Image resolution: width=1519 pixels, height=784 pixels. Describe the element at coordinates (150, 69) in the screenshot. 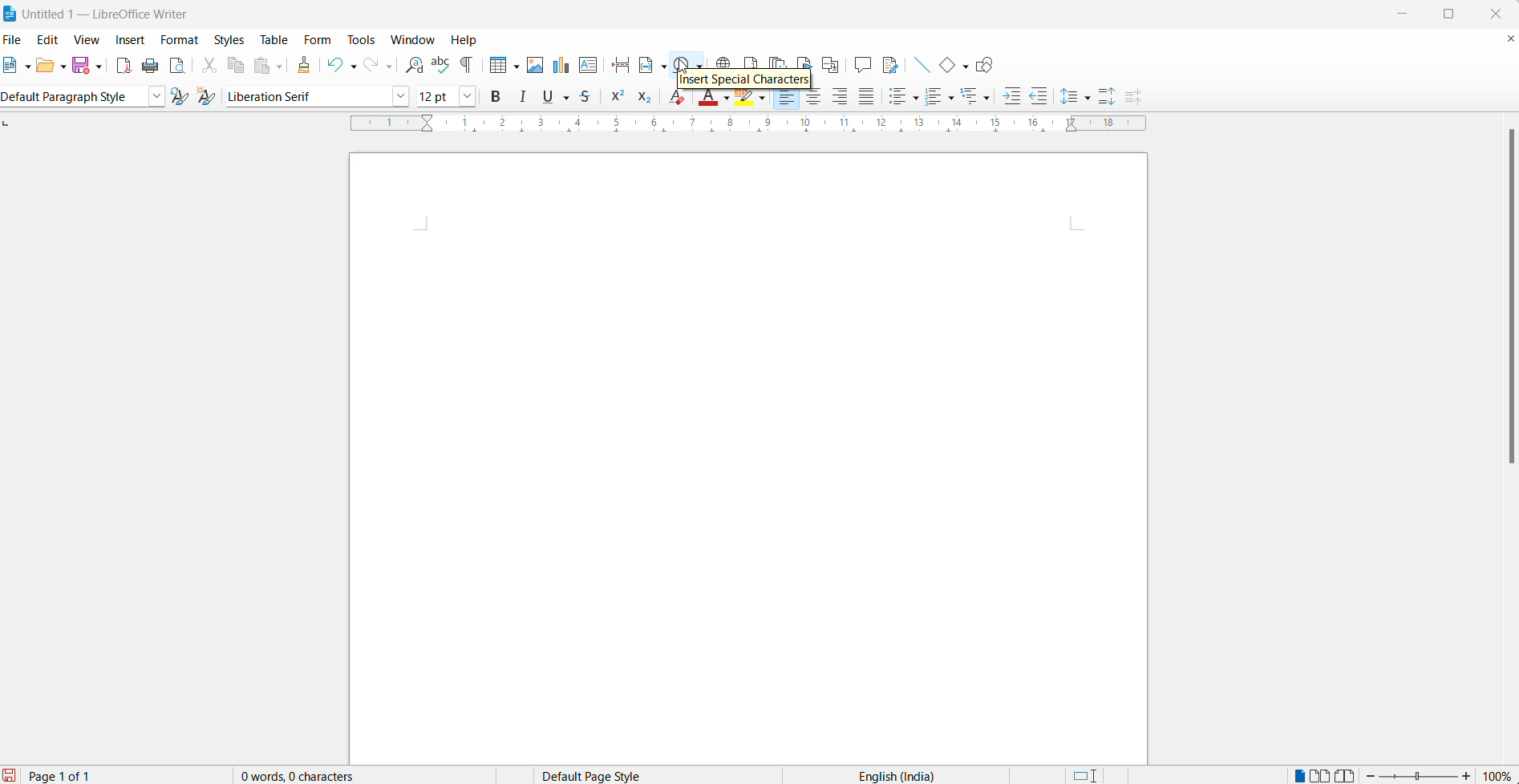

I see `print` at that location.